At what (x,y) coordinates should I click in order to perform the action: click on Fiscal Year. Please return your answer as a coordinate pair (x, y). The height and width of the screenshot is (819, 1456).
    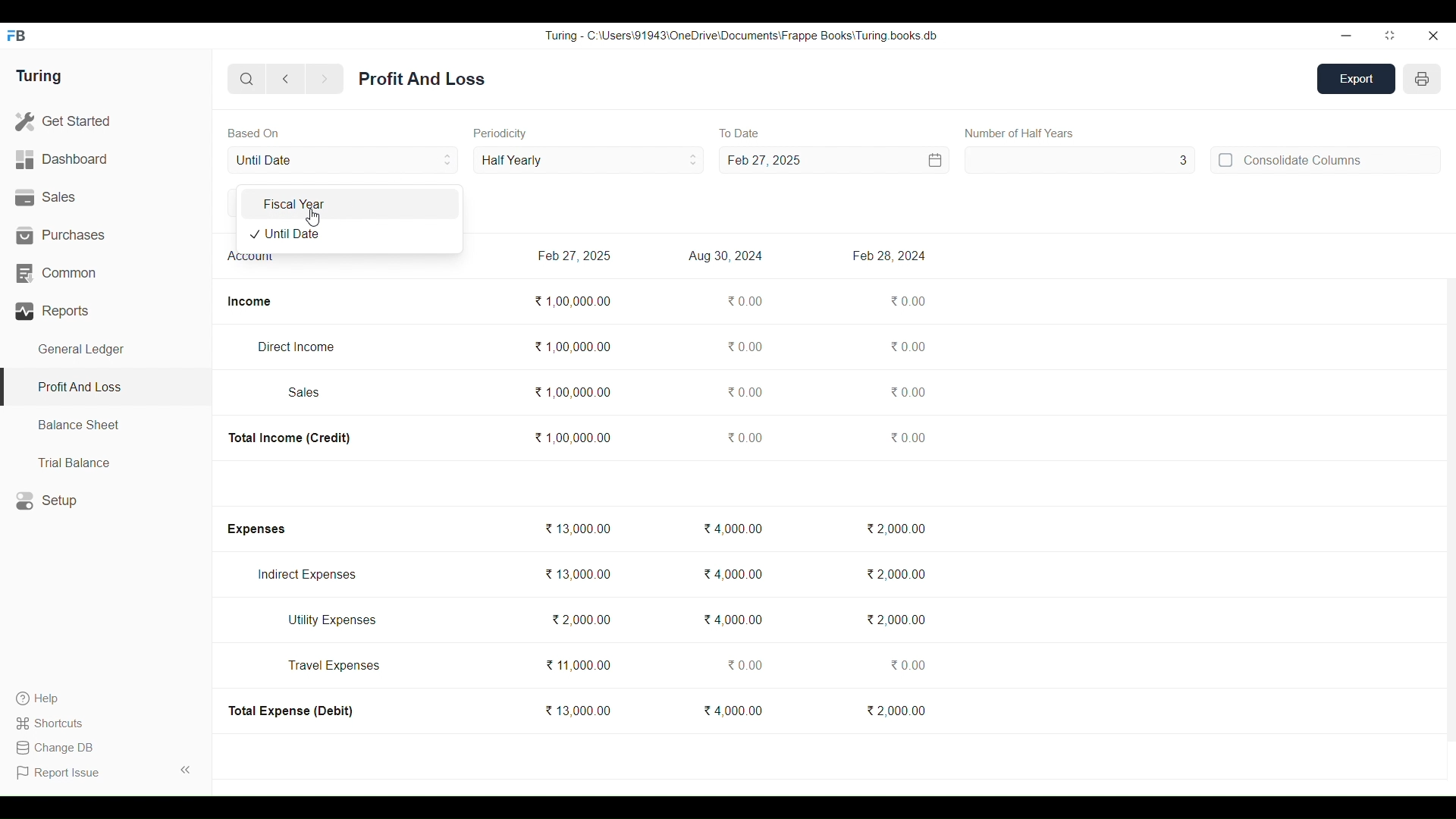
    Looking at the image, I should click on (349, 204).